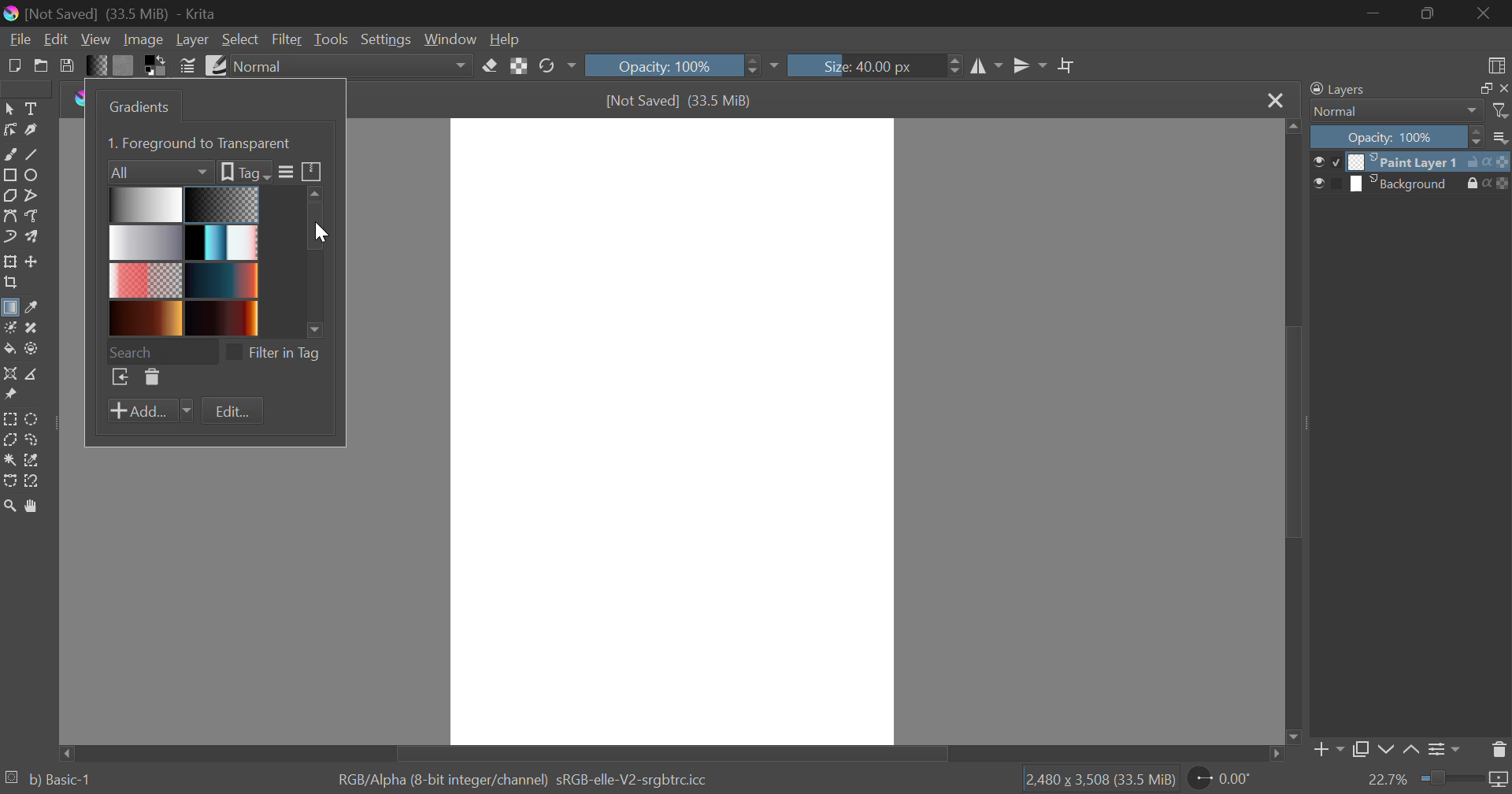  Describe the element at coordinates (9, 441) in the screenshot. I see `Polygon Selection` at that location.